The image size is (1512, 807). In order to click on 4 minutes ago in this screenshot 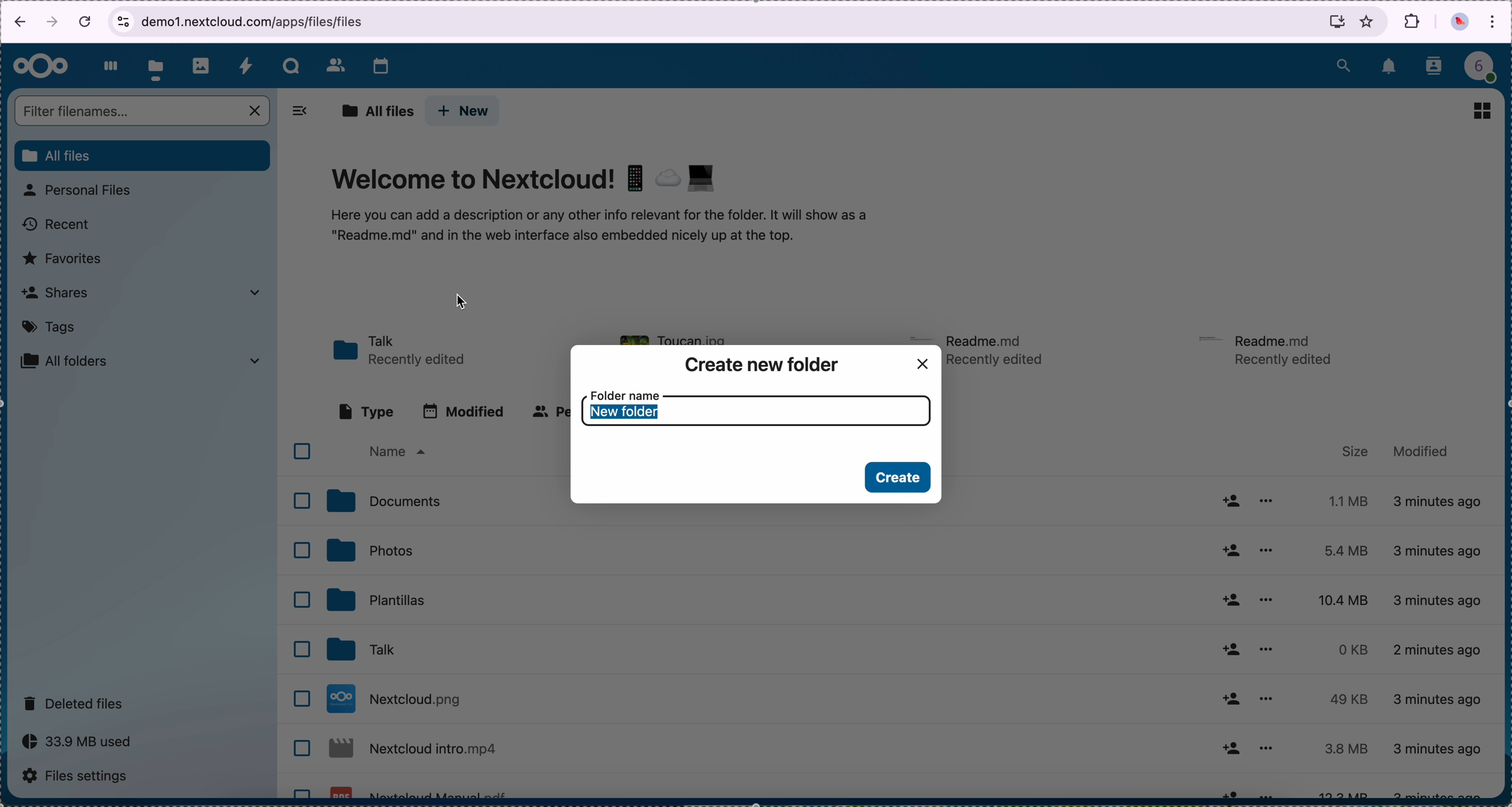, I will do `click(1439, 654)`.